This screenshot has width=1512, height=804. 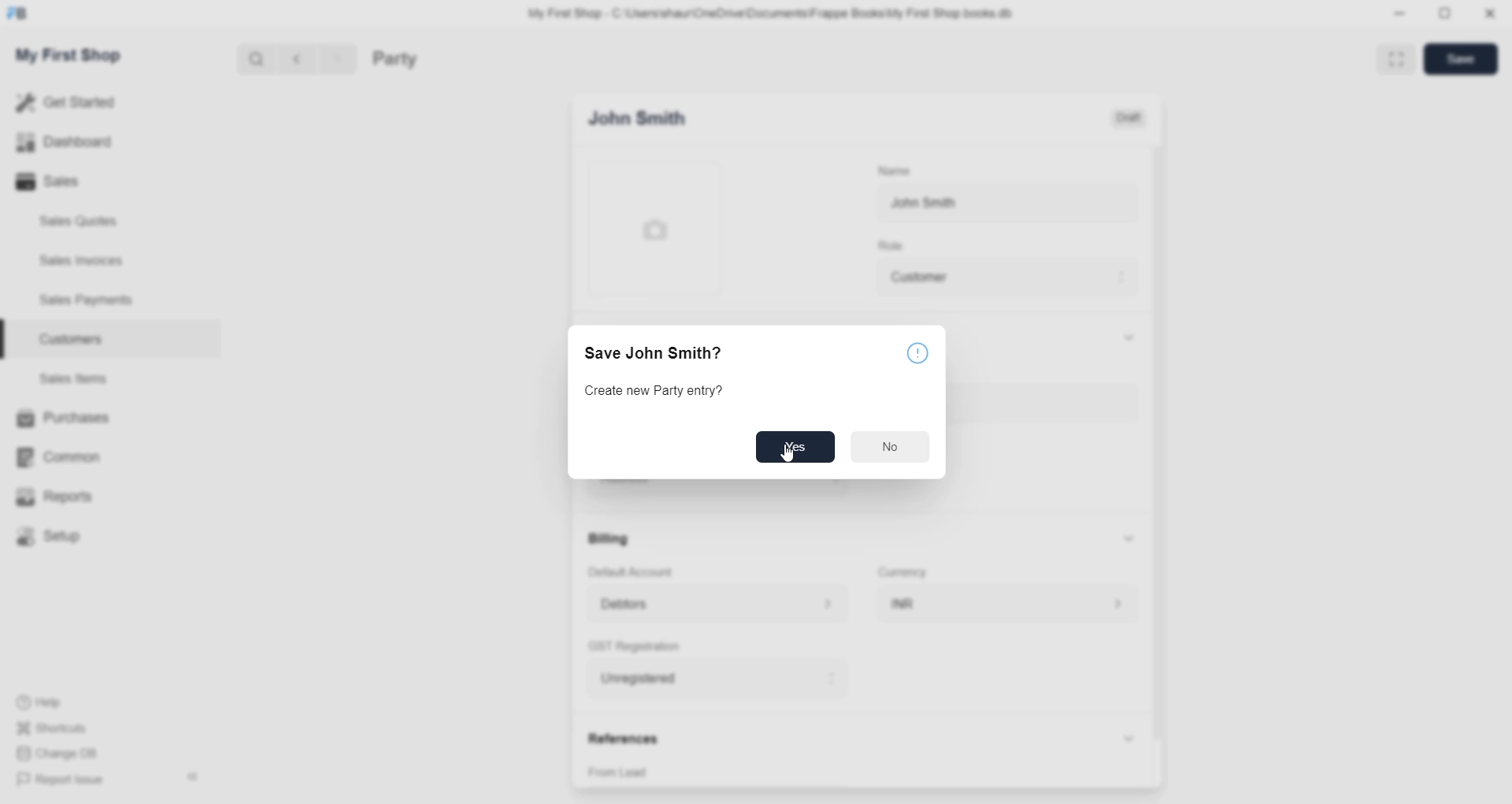 I want to click on My First Shop - C:\Users\shaur\OneDrive\Documents\Frappe BooksiMy First Shop books db, so click(x=763, y=13).